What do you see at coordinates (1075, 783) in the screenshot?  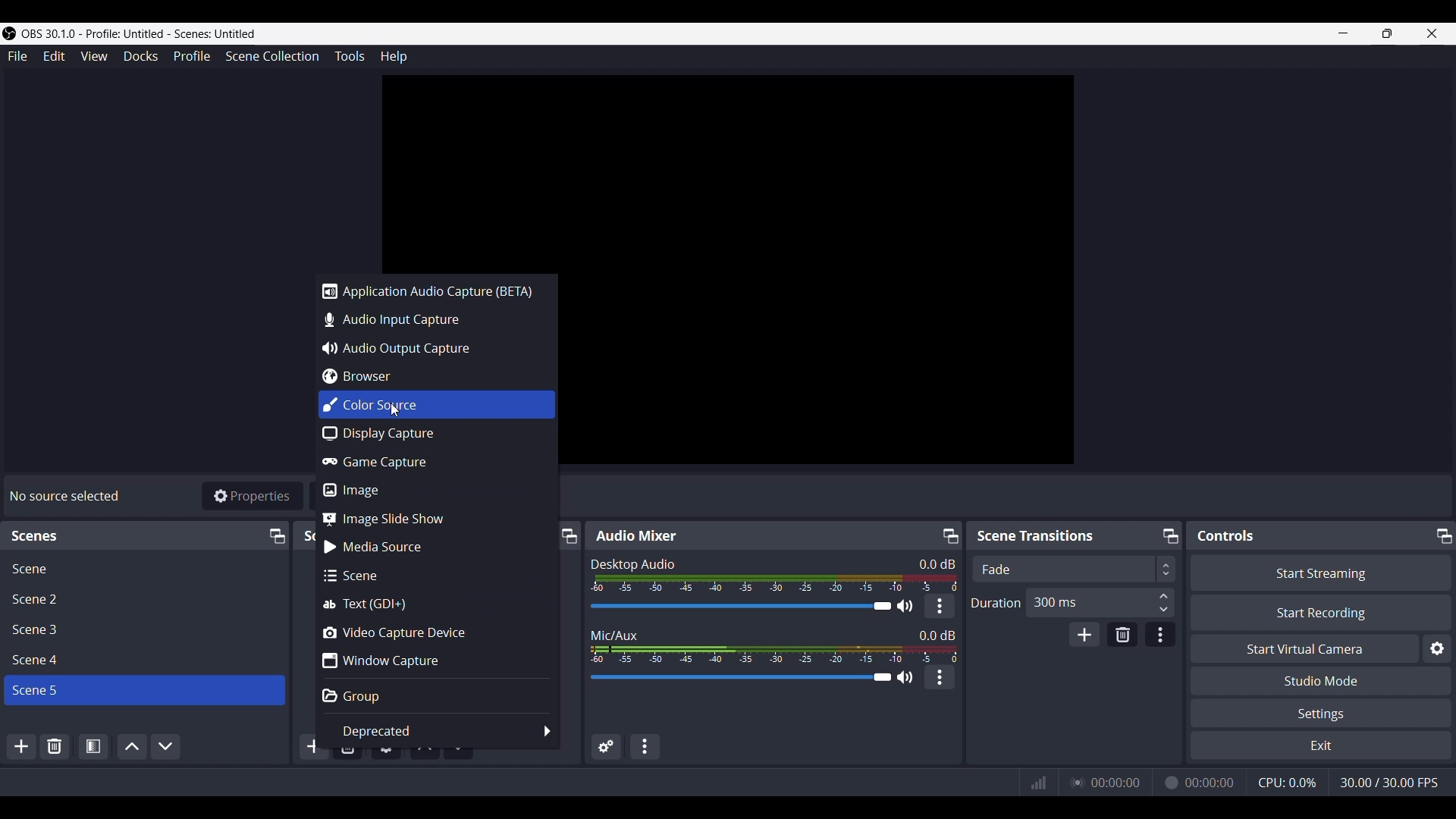 I see `Streaming` at bounding box center [1075, 783].